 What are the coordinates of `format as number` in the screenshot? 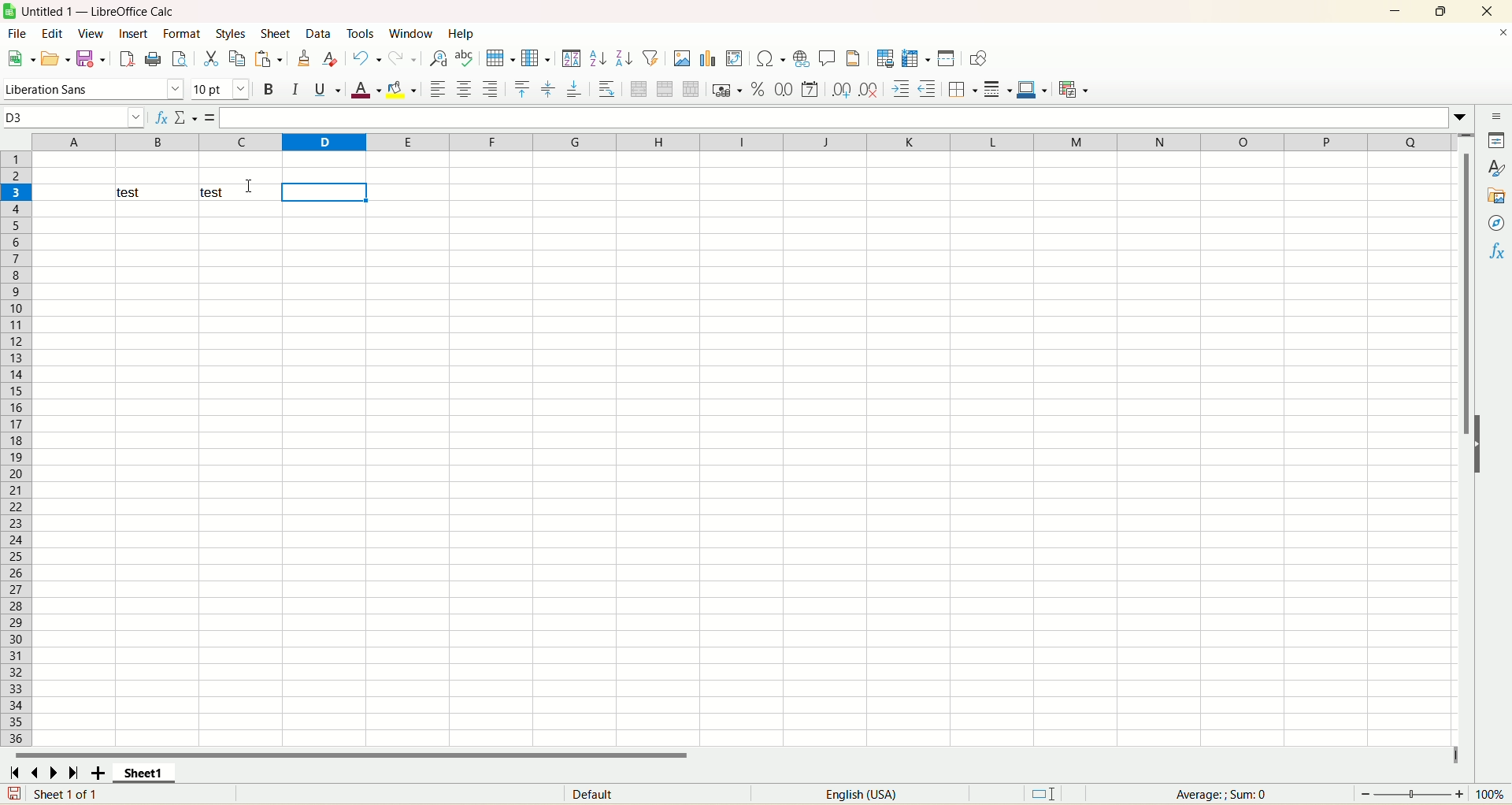 It's located at (810, 89).